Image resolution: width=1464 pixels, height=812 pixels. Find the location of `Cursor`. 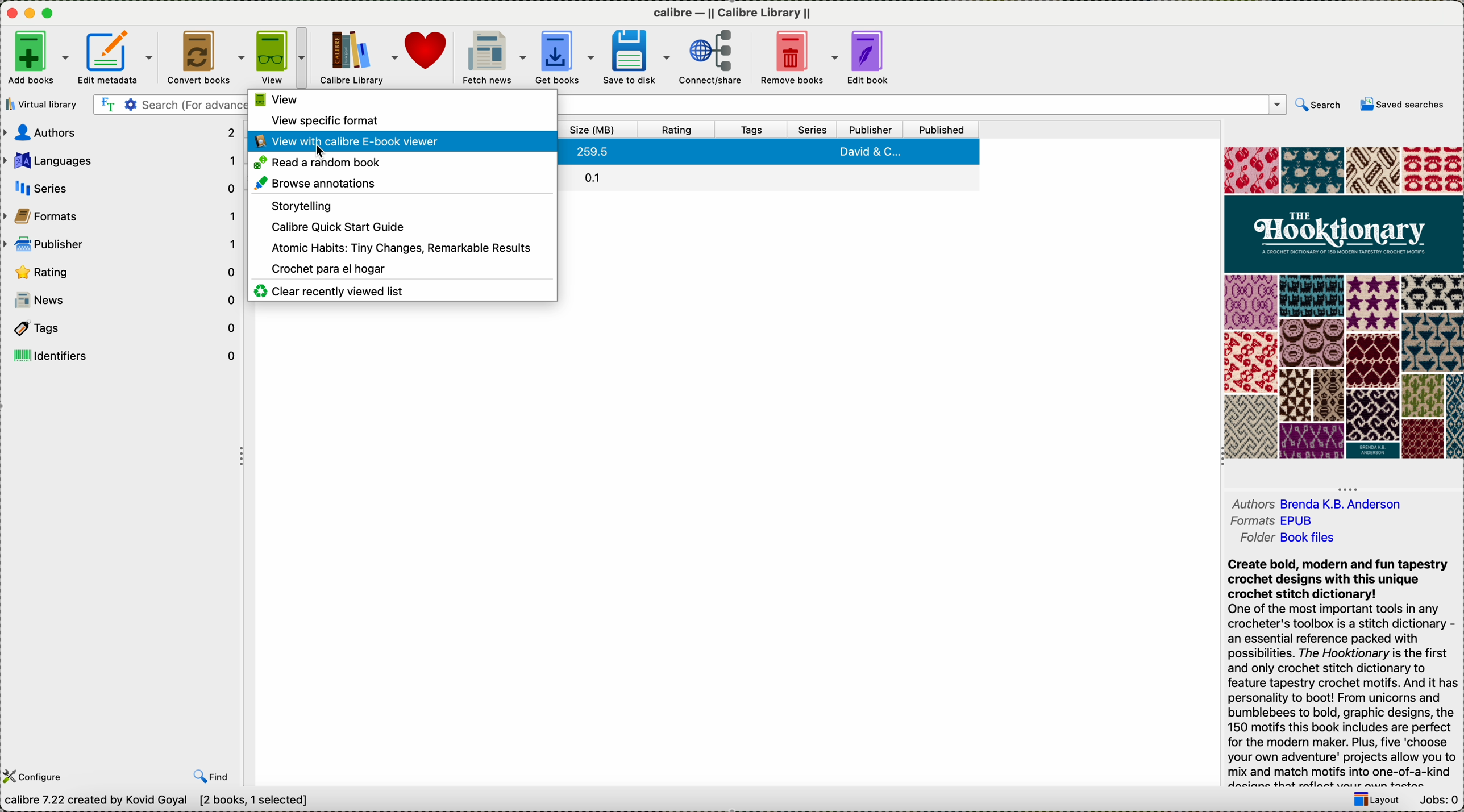

Cursor is located at coordinates (321, 156).